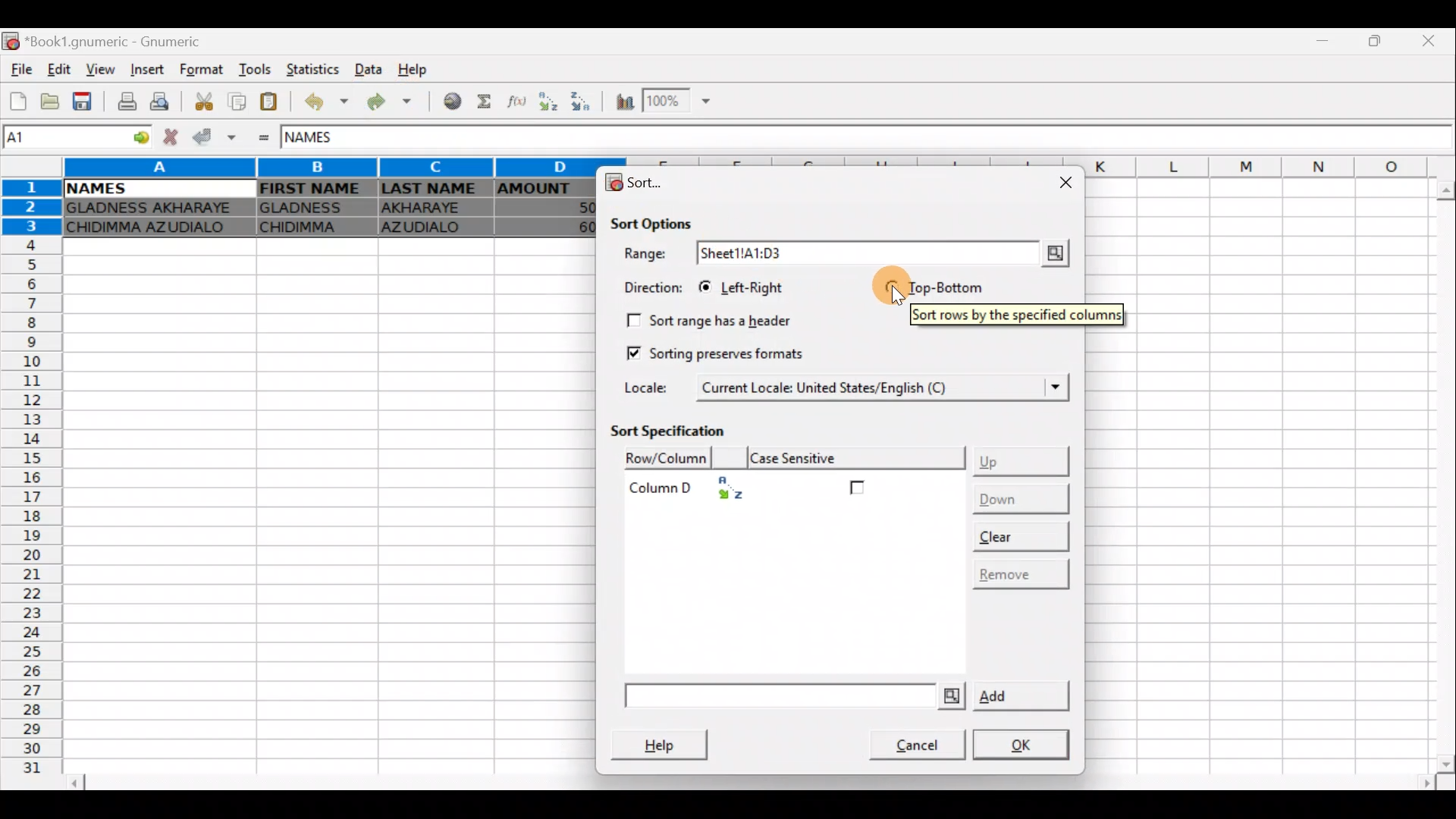 This screenshot has height=819, width=1456. I want to click on Remove, so click(1018, 573).